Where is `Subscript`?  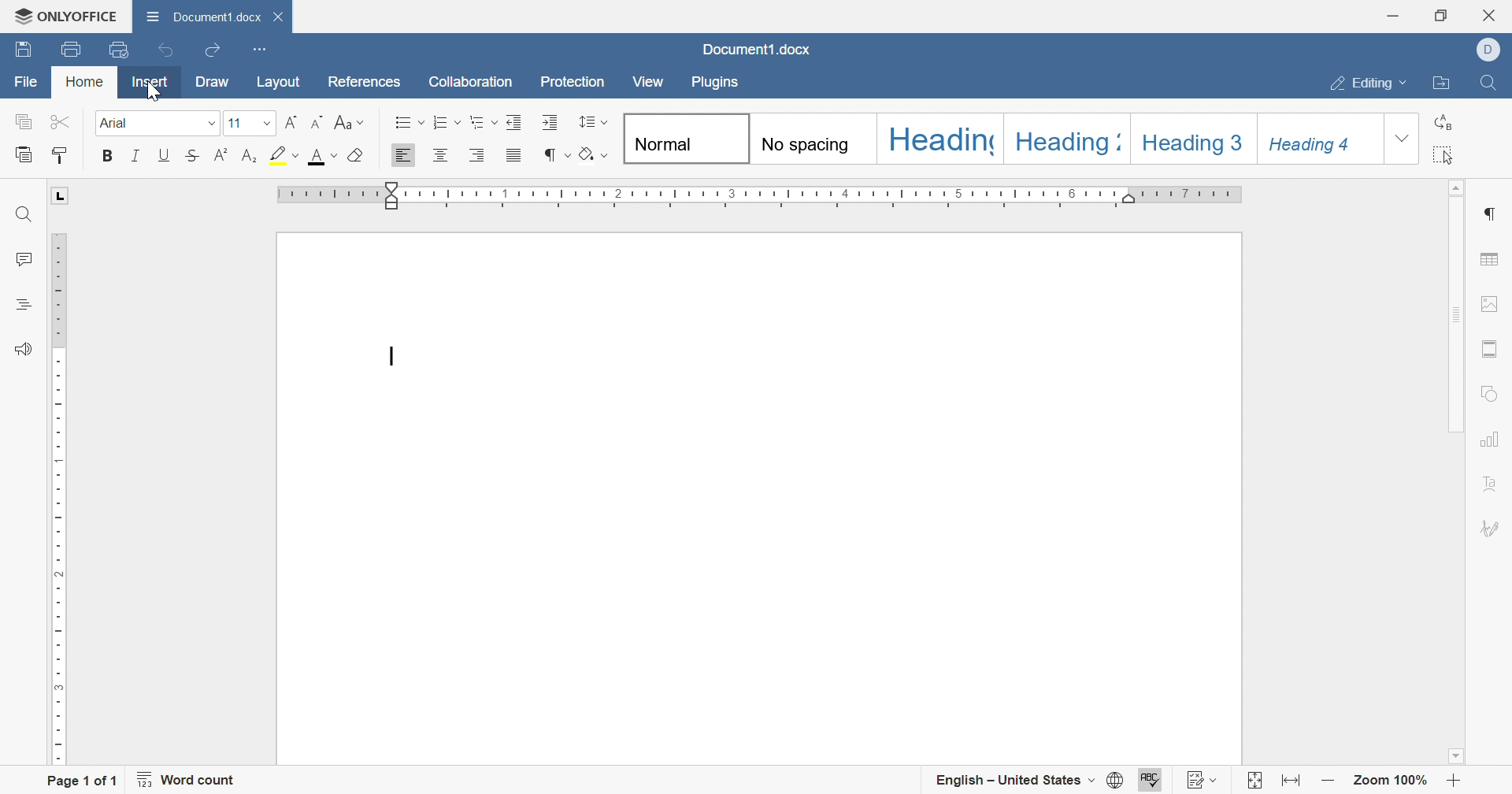
Subscript is located at coordinates (249, 155).